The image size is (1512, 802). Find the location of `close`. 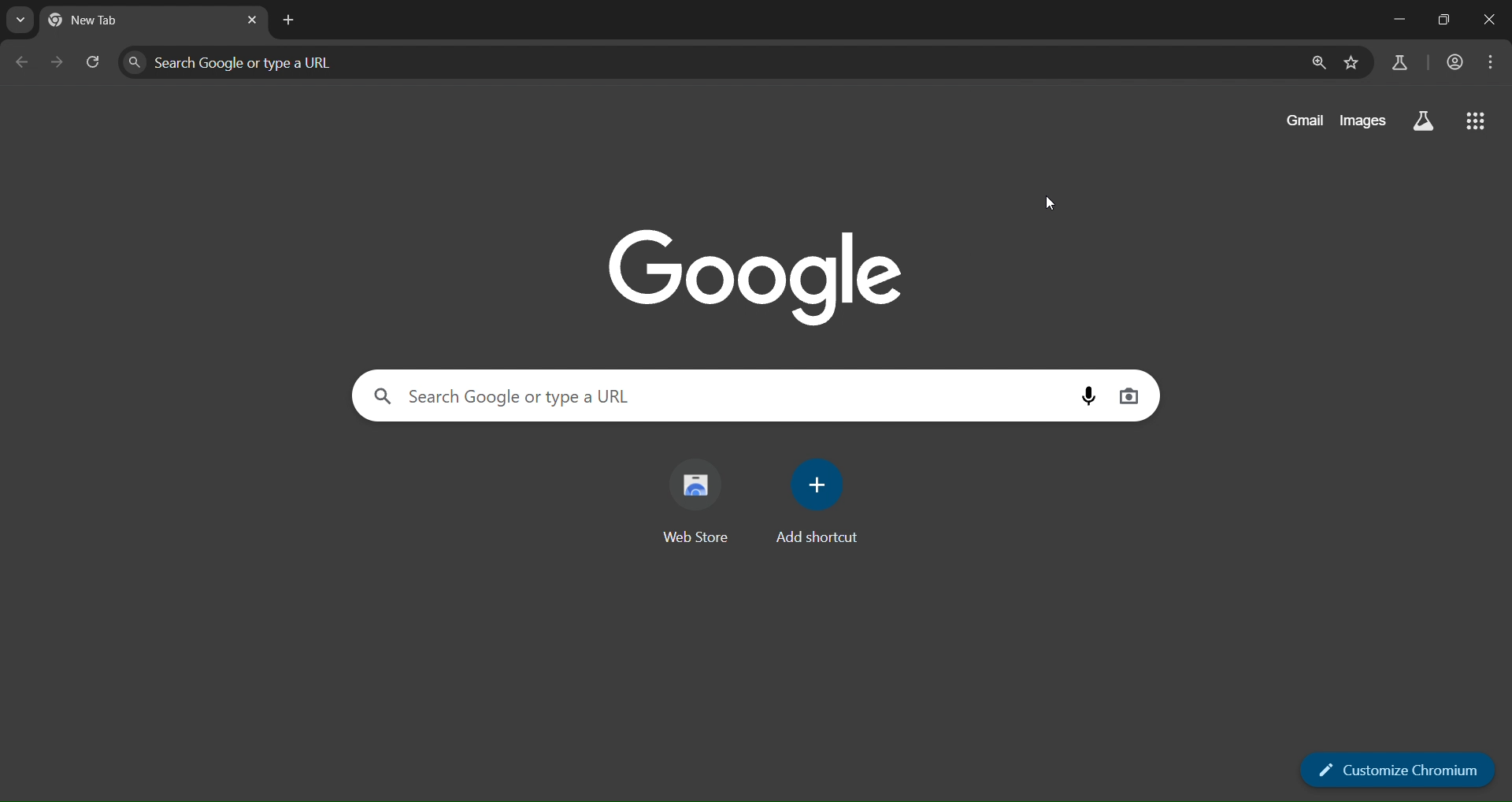

close is located at coordinates (1491, 19).